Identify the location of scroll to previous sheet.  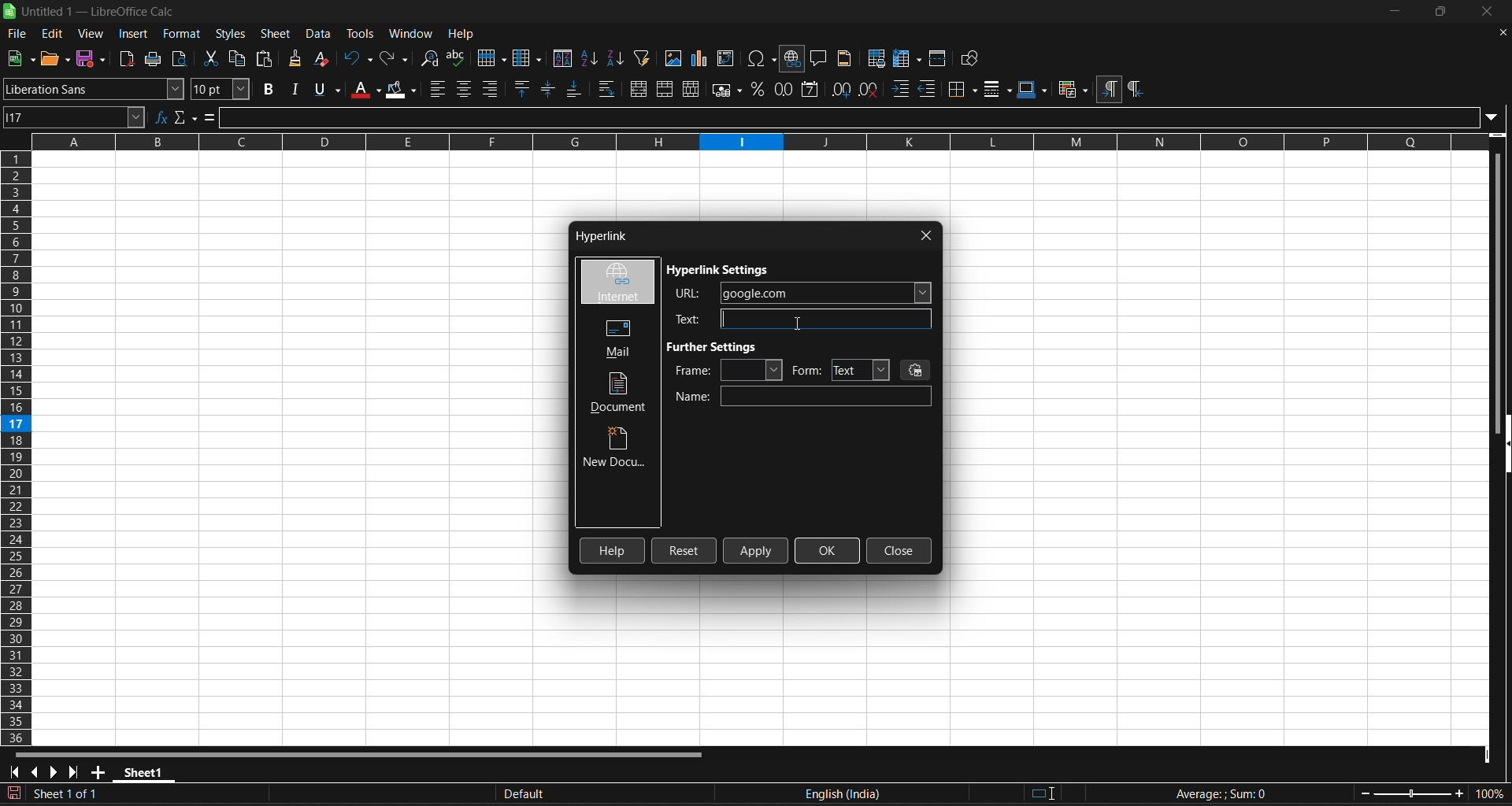
(35, 772).